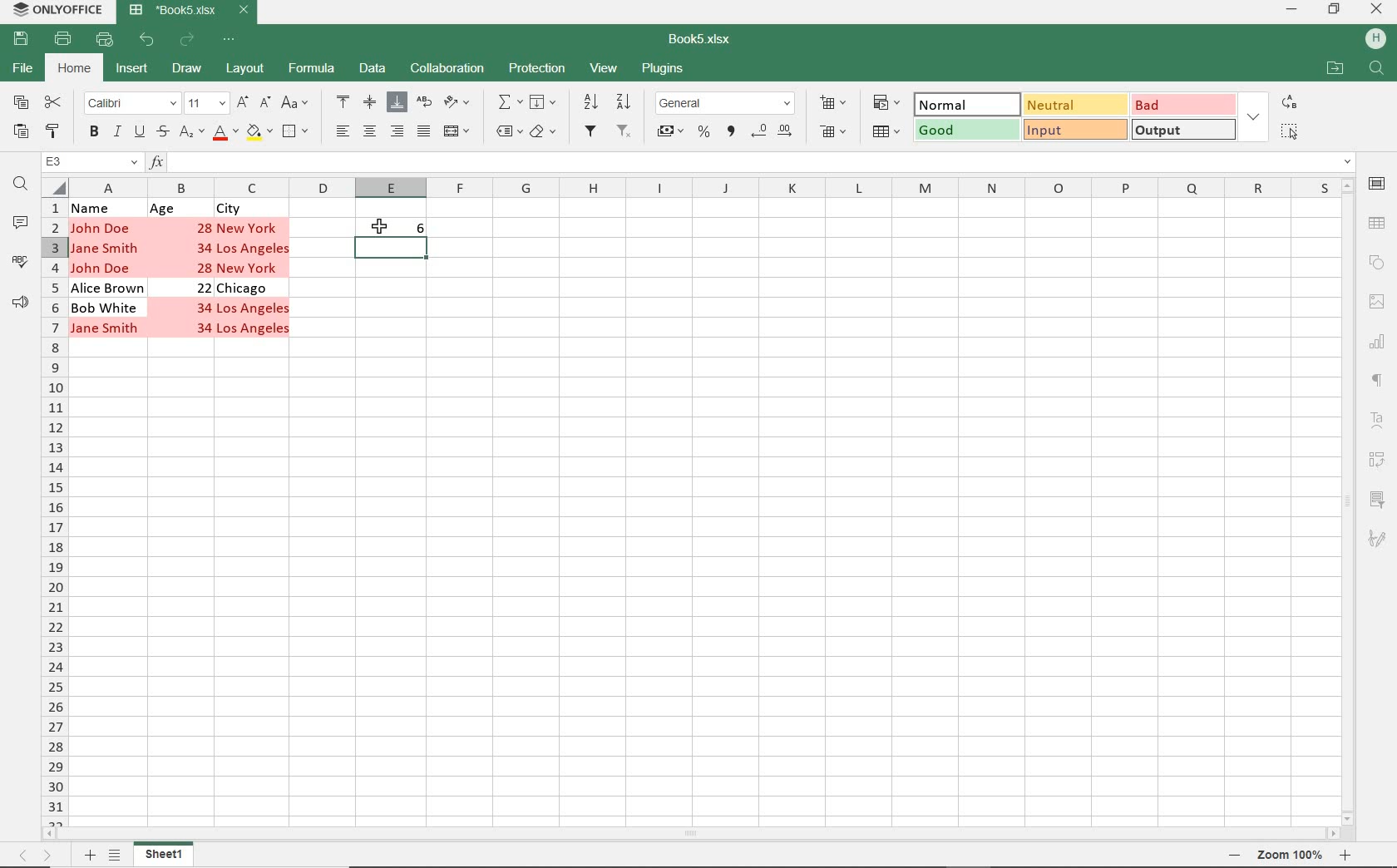 Image resolution: width=1397 pixels, height=868 pixels. What do you see at coordinates (752, 161) in the screenshot?
I see `INSERT FUNCTION` at bounding box center [752, 161].